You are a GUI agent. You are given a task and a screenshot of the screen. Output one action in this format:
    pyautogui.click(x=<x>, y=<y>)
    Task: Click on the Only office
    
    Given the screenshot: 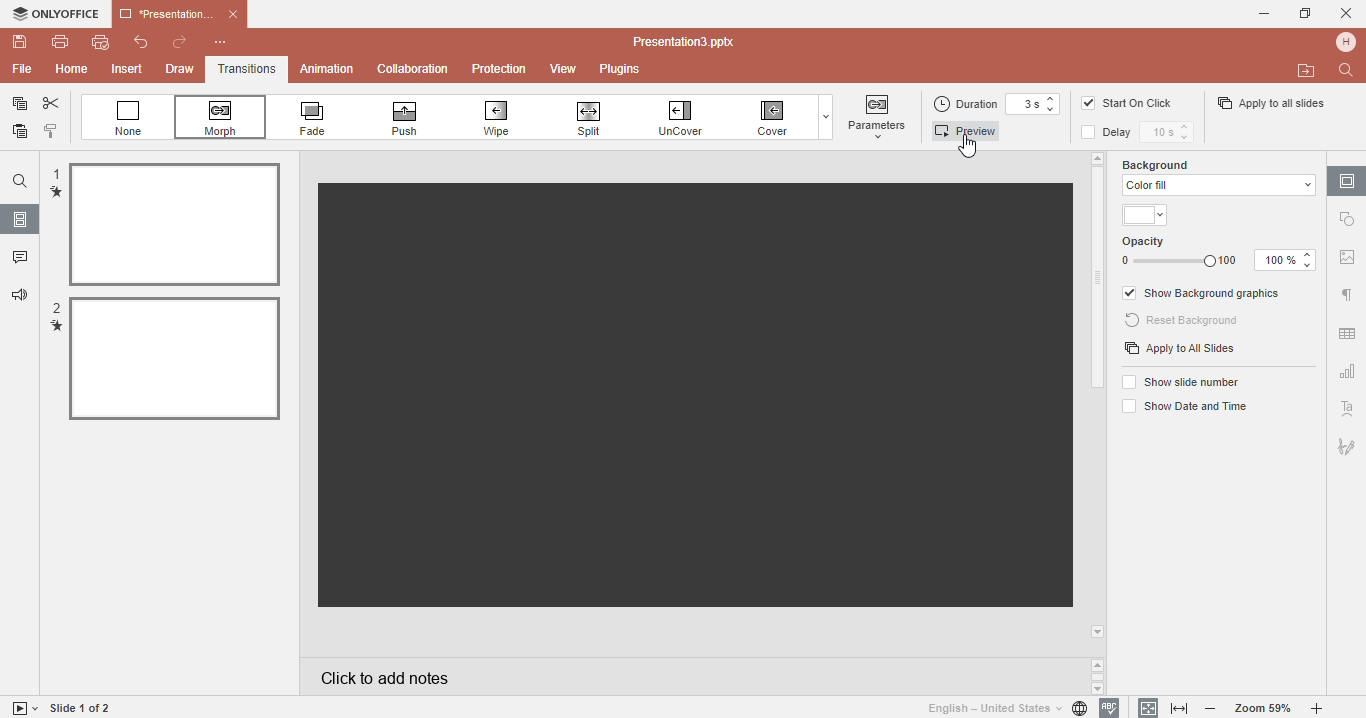 What is the action you would take?
    pyautogui.click(x=54, y=14)
    